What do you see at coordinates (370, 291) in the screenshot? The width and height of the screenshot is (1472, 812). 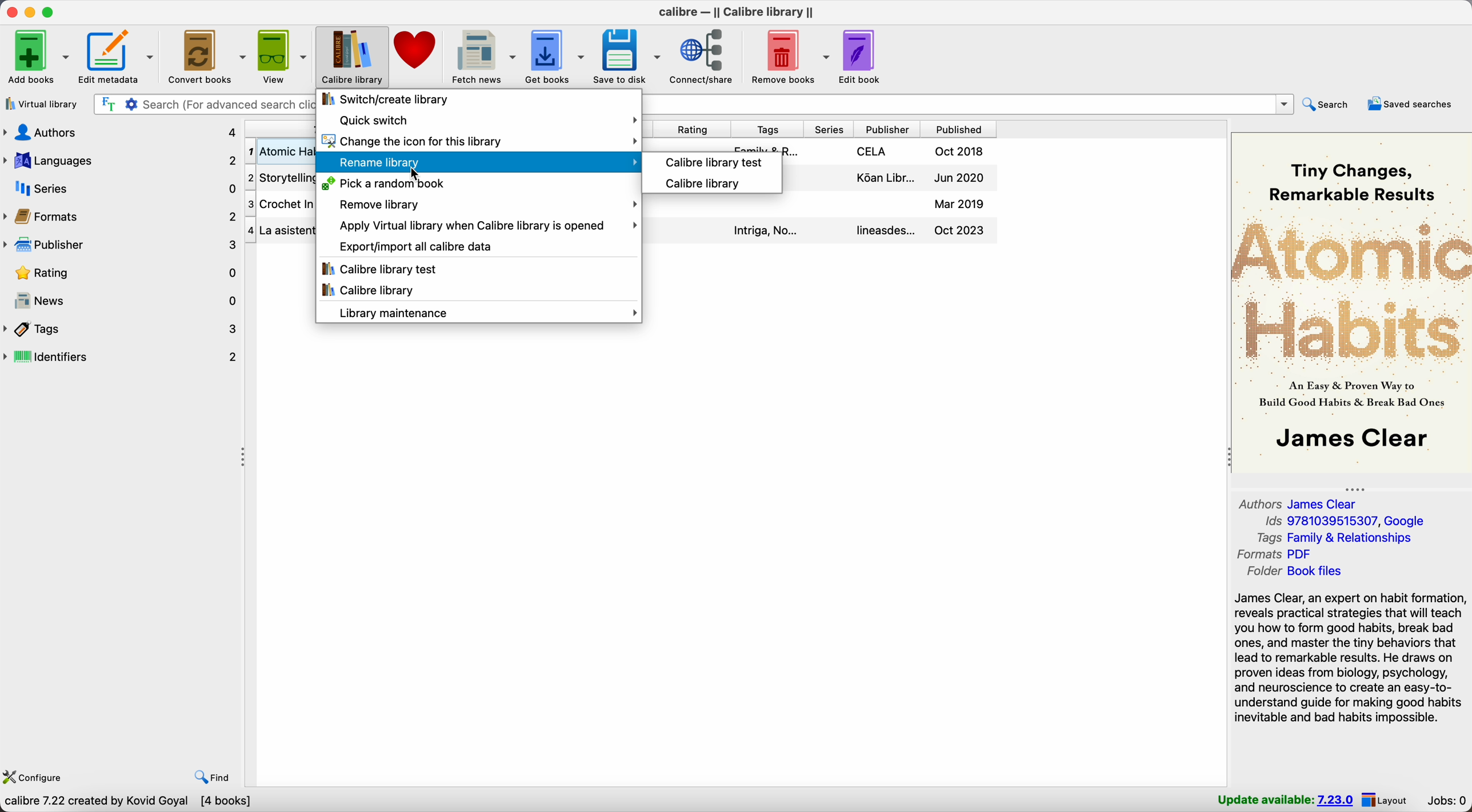 I see `Calibre library` at bounding box center [370, 291].